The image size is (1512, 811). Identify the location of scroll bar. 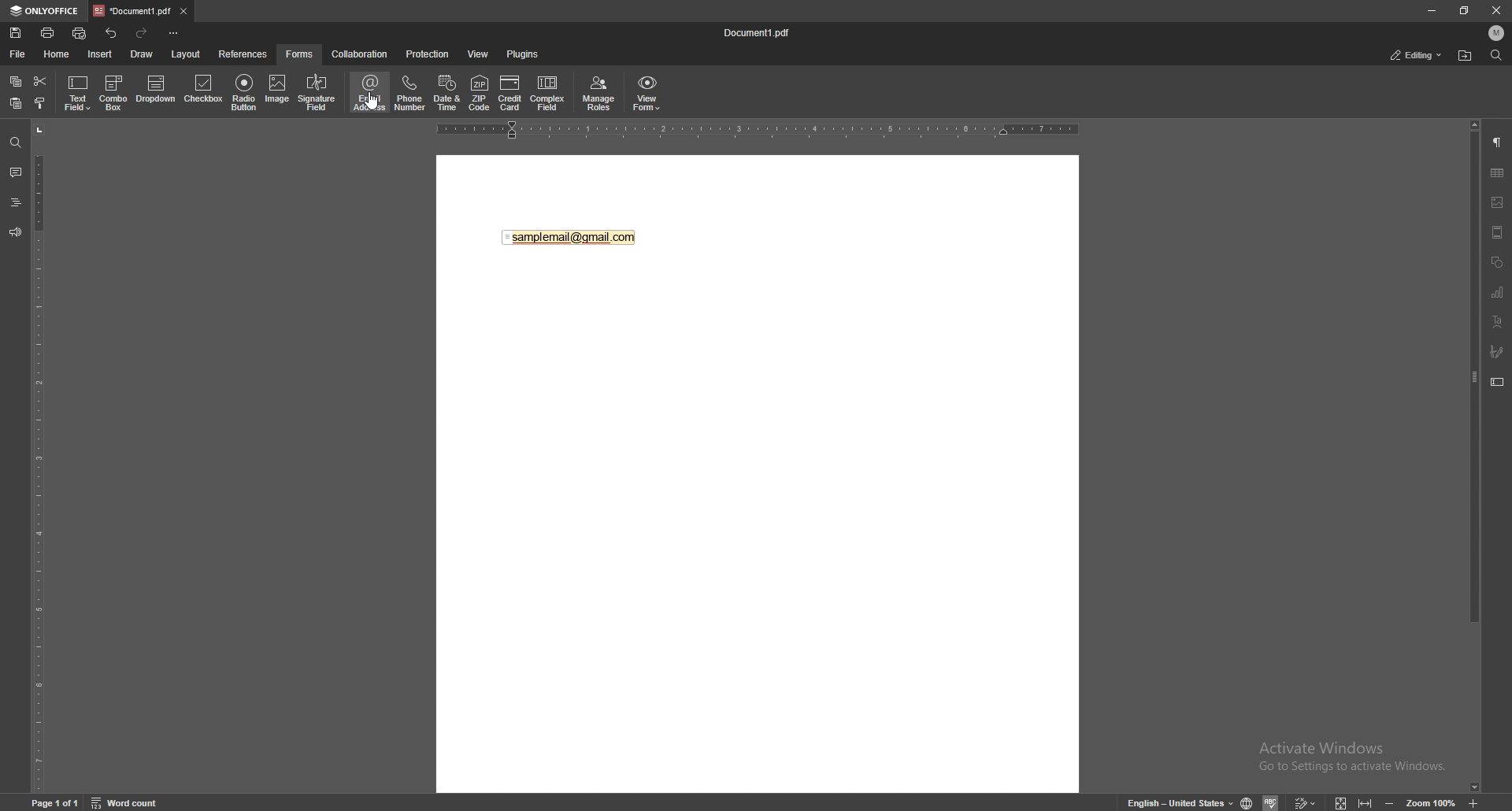
(1475, 457).